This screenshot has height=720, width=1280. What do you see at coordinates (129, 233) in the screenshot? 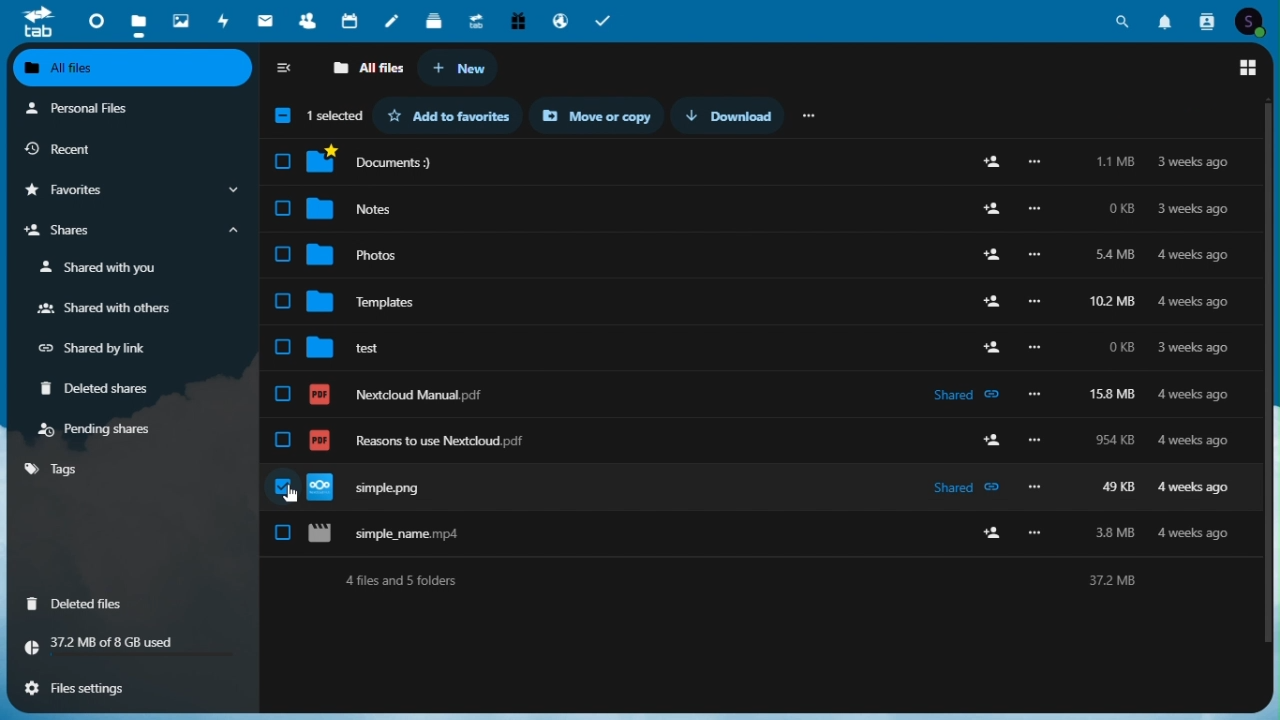
I see `shares` at bounding box center [129, 233].